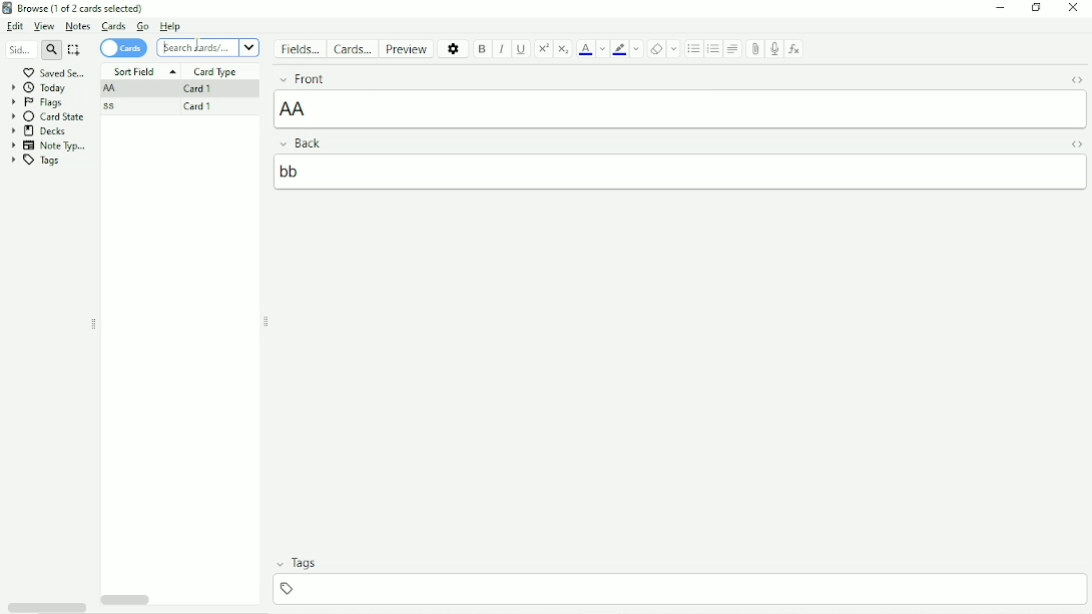 Image resolution: width=1092 pixels, height=614 pixels. What do you see at coordinates (37, 161) in the screenshot?
I see `Tags` at bounding box center [37, 161].